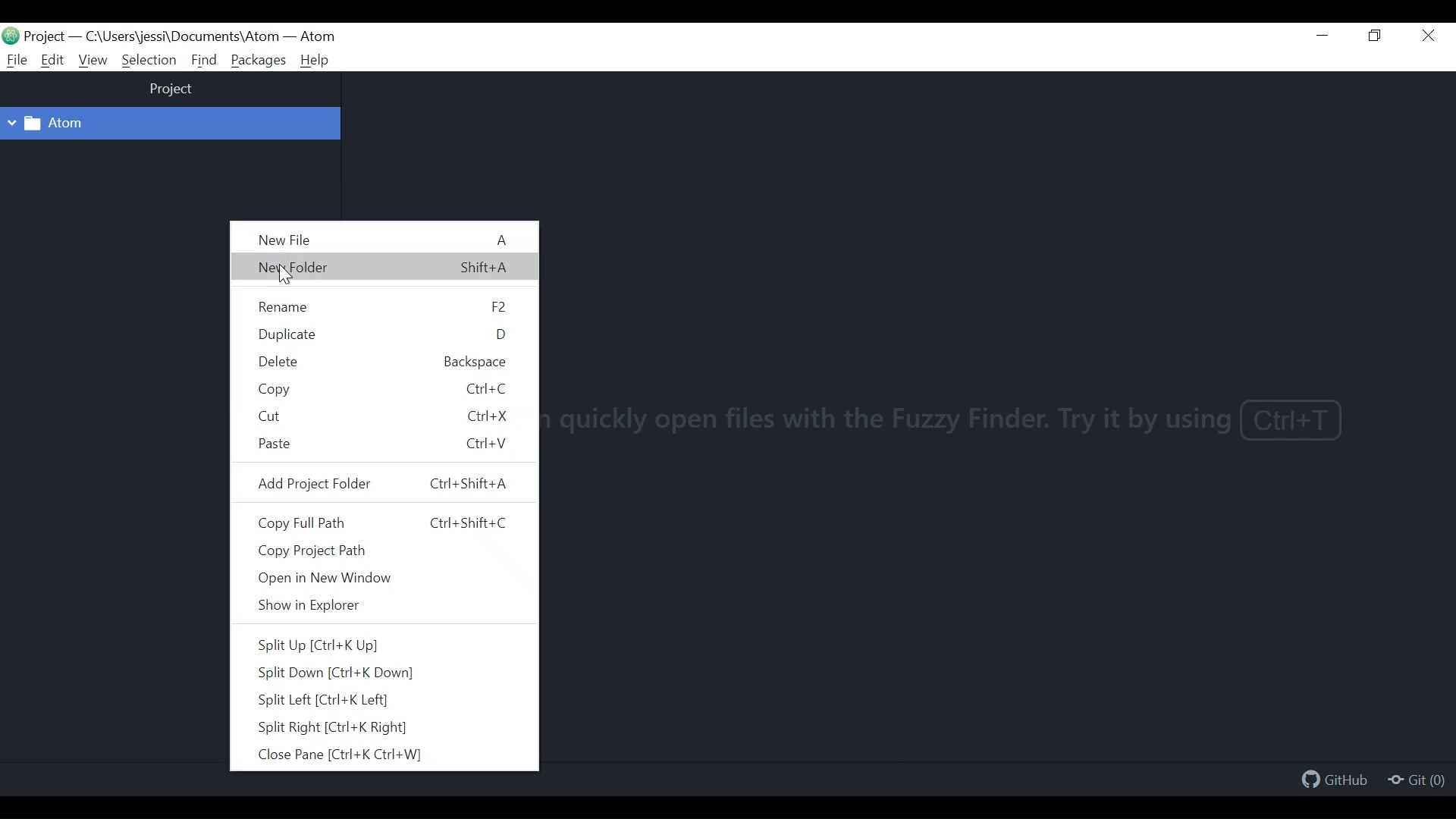  I want to click on Split Left, so click(325, 700).